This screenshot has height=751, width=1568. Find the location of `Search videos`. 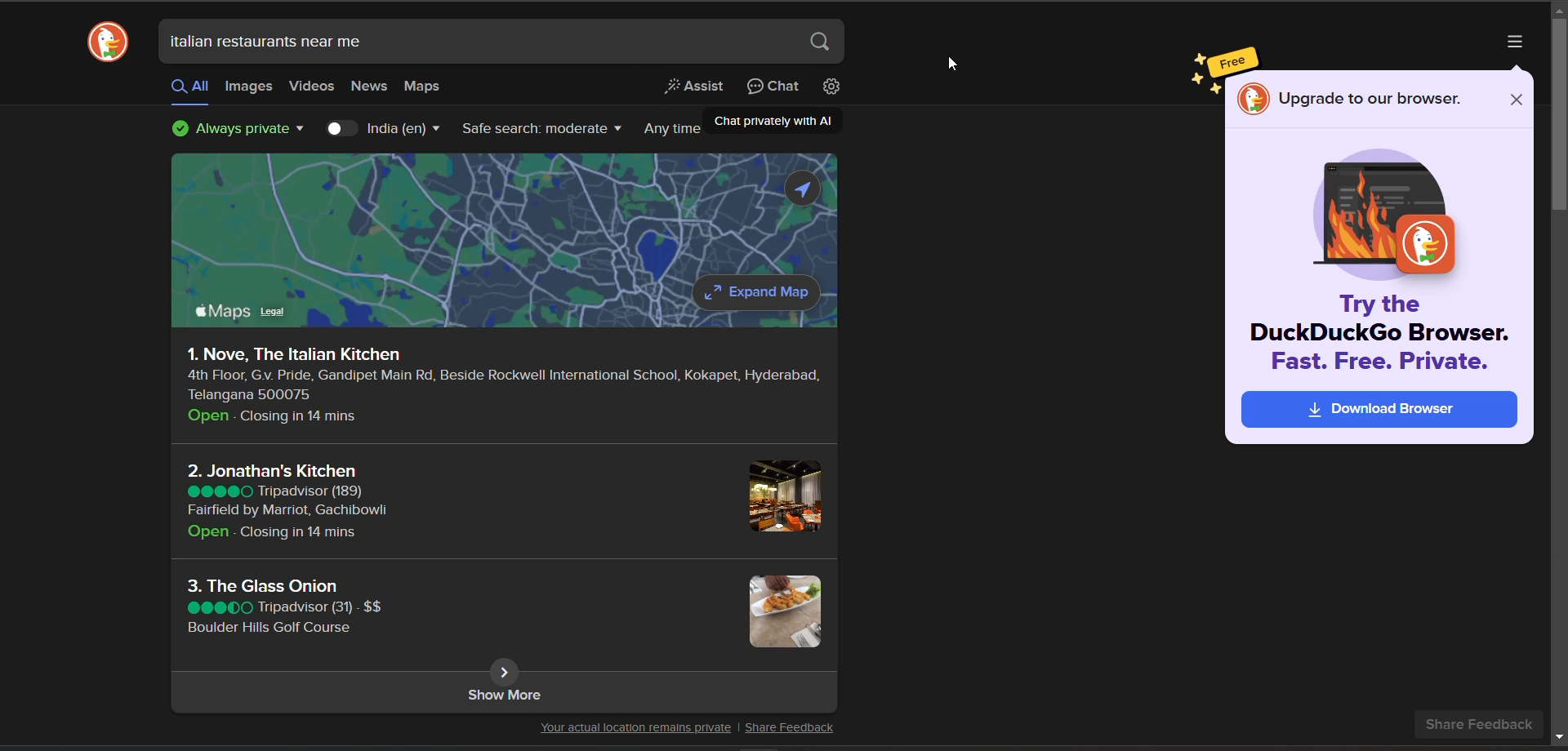

Search videos is located at coordinates (312, 86).